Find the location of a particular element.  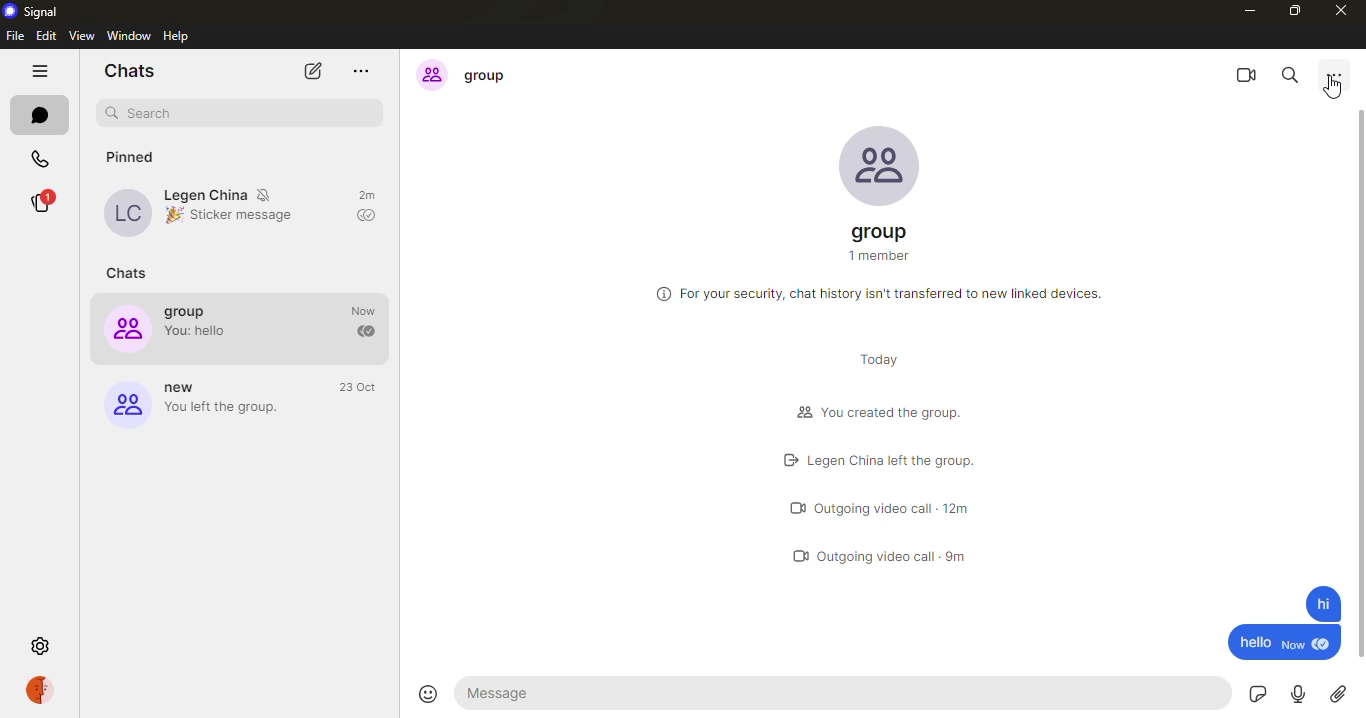

Sticker message is located at coordinates (240, 219).